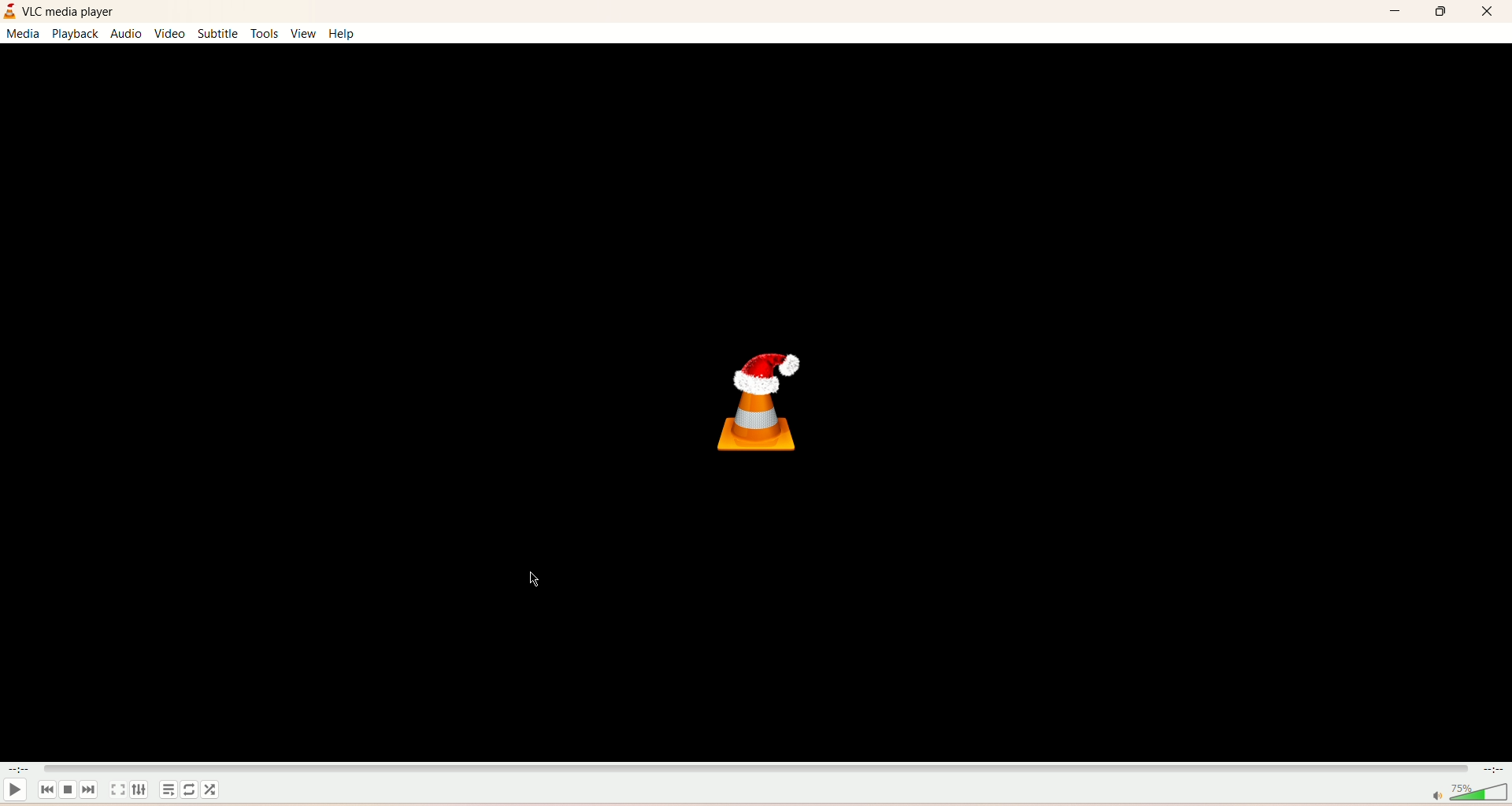 Image resolution: width=1512 pixels, height=806 pixels. Describe the element at coordinates (169, 791) in the screenshot. I see `playlist` at that location.